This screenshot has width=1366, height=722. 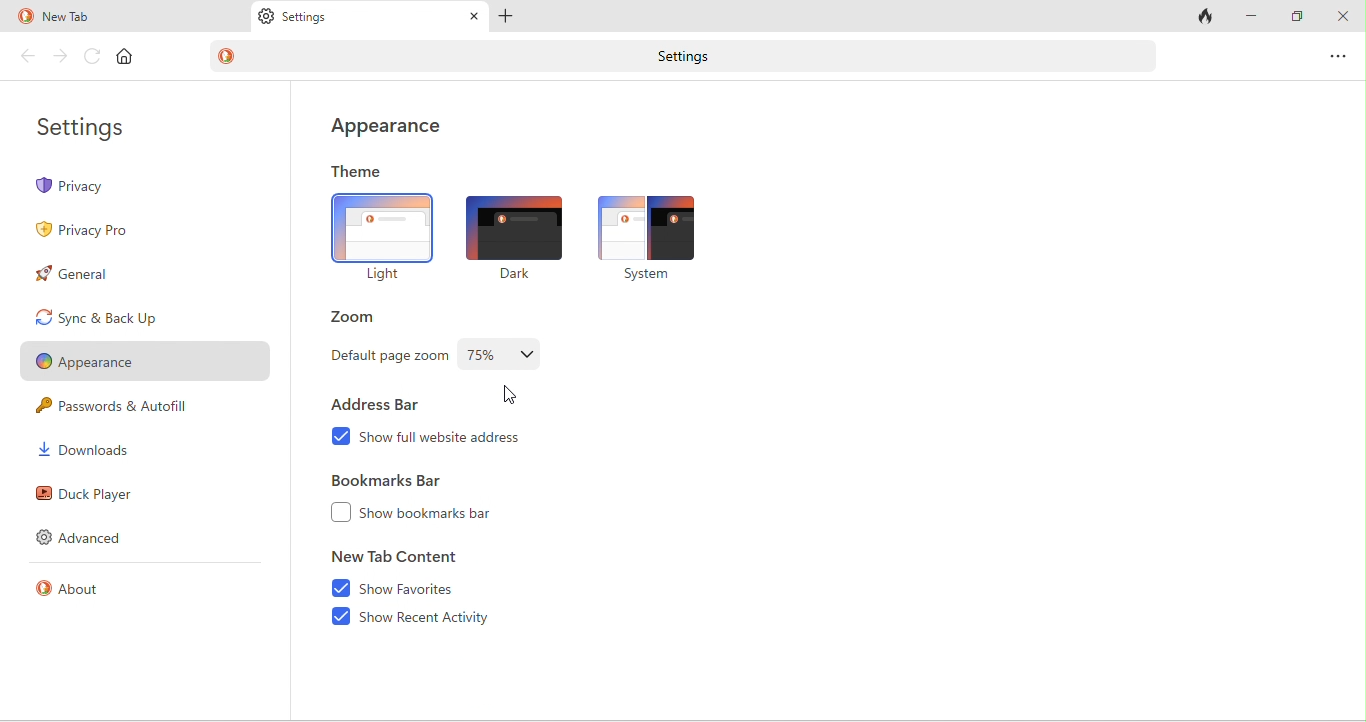 What do you see at coordinates (124, 318) in the screenshot?
I see `sync and back up` at bounding box center [124, 318].